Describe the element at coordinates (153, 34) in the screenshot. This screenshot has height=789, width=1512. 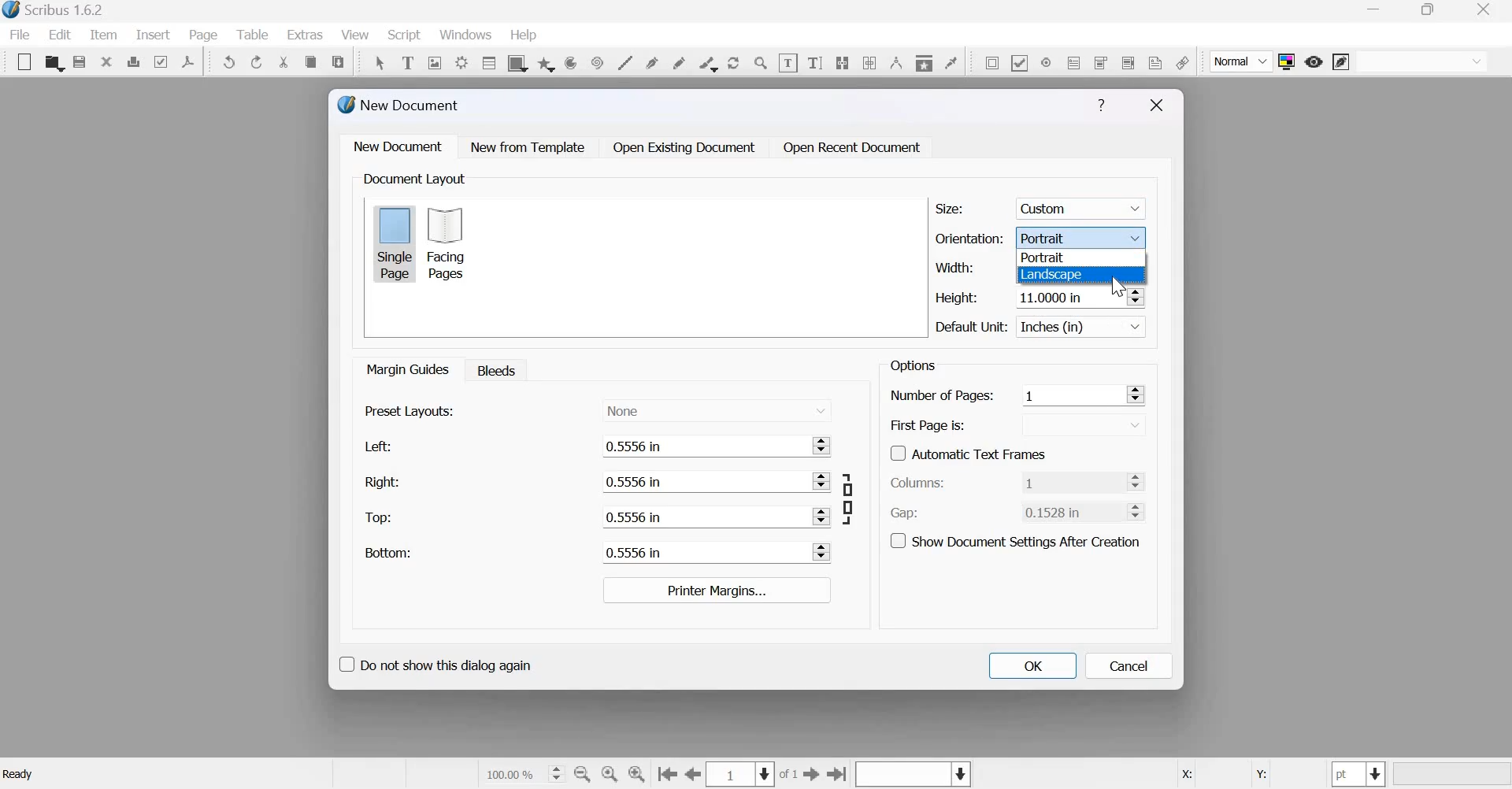
I see `insert` at that location.